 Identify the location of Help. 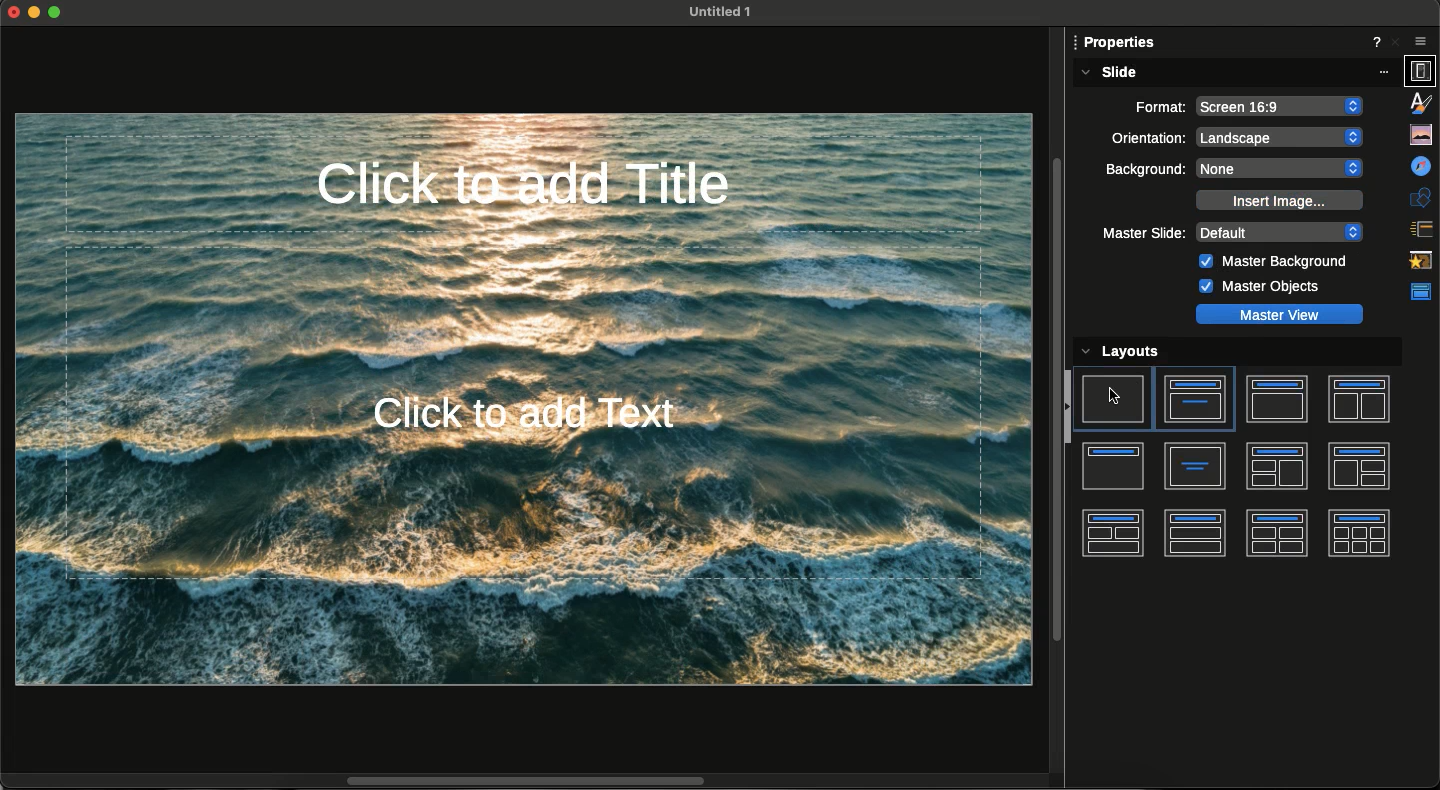
(1373, 43).